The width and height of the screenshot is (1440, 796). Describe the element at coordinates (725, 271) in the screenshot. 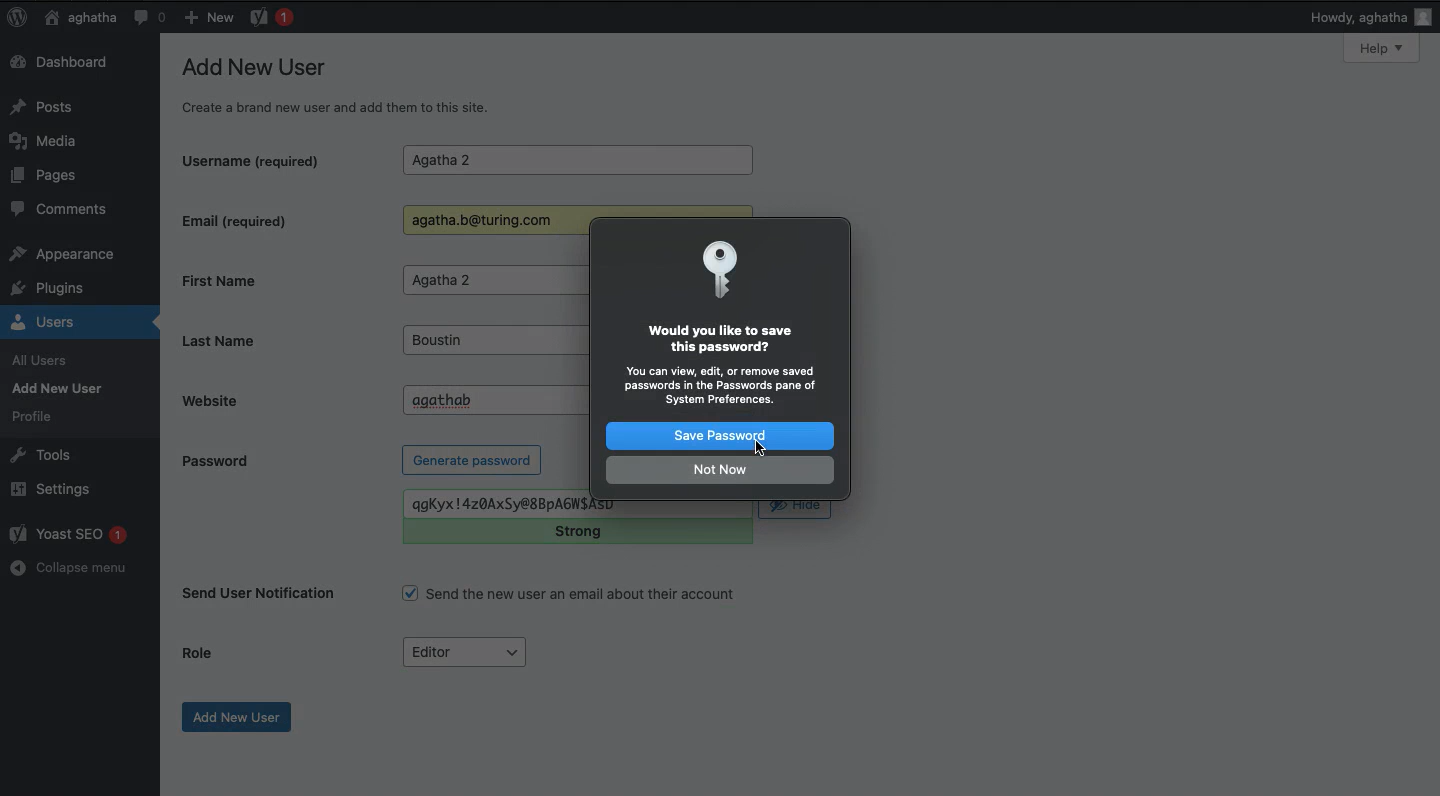

I see `Image` at that location.